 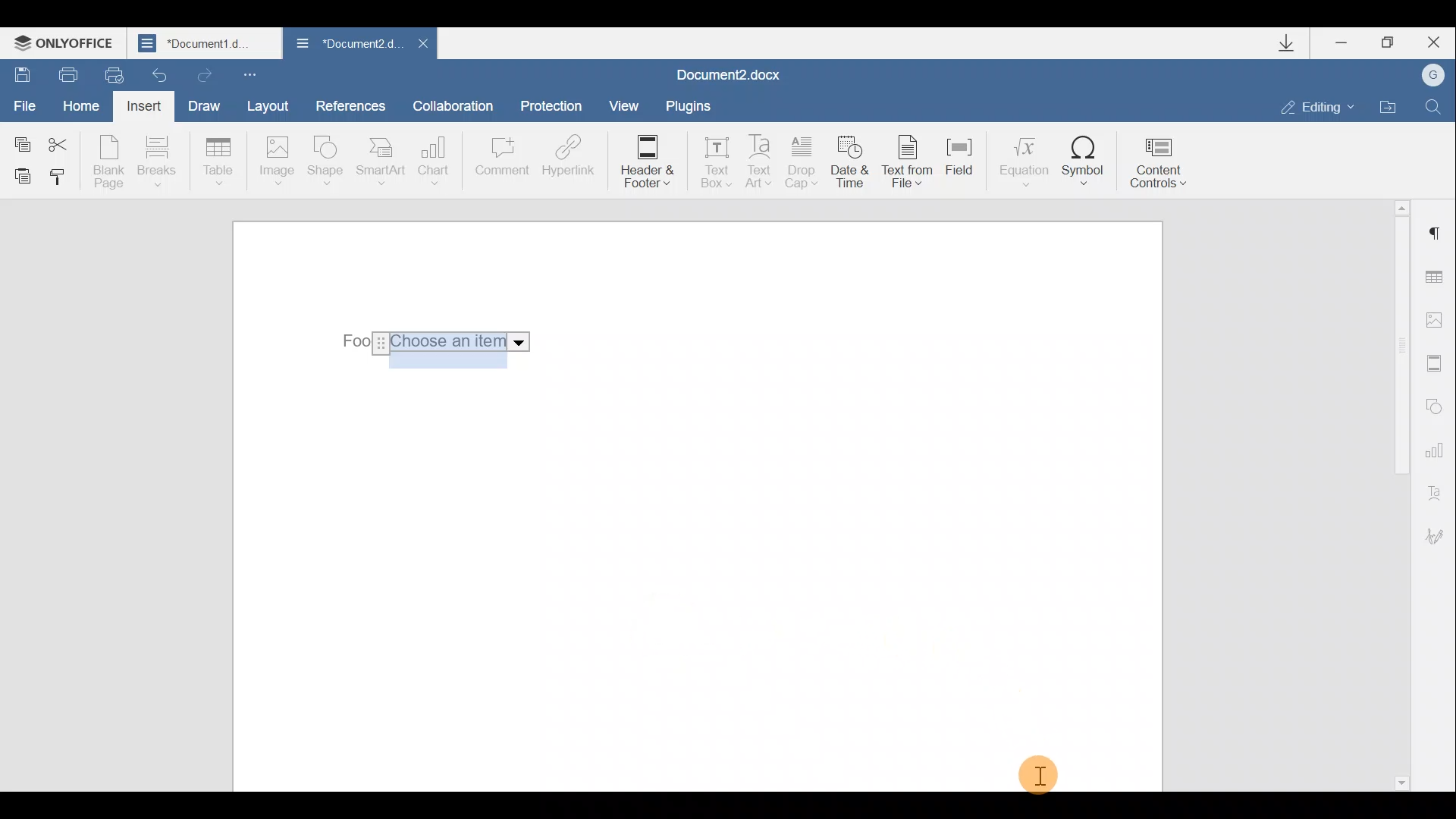 I want to click on Save, so click(x=17, y=73).